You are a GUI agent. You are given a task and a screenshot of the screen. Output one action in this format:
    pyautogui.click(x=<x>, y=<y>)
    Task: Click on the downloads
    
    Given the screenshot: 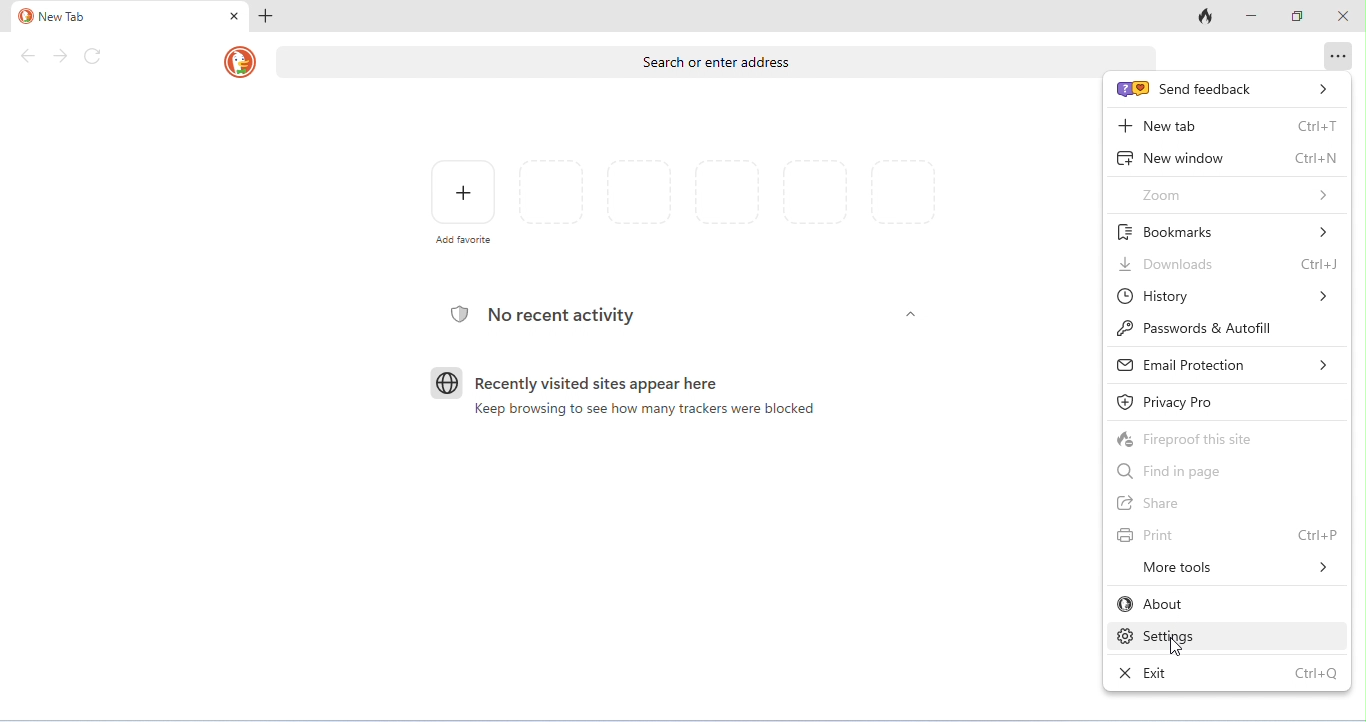 What is the action you would take?
    pyautogui.click(x=1225, y=264)
    